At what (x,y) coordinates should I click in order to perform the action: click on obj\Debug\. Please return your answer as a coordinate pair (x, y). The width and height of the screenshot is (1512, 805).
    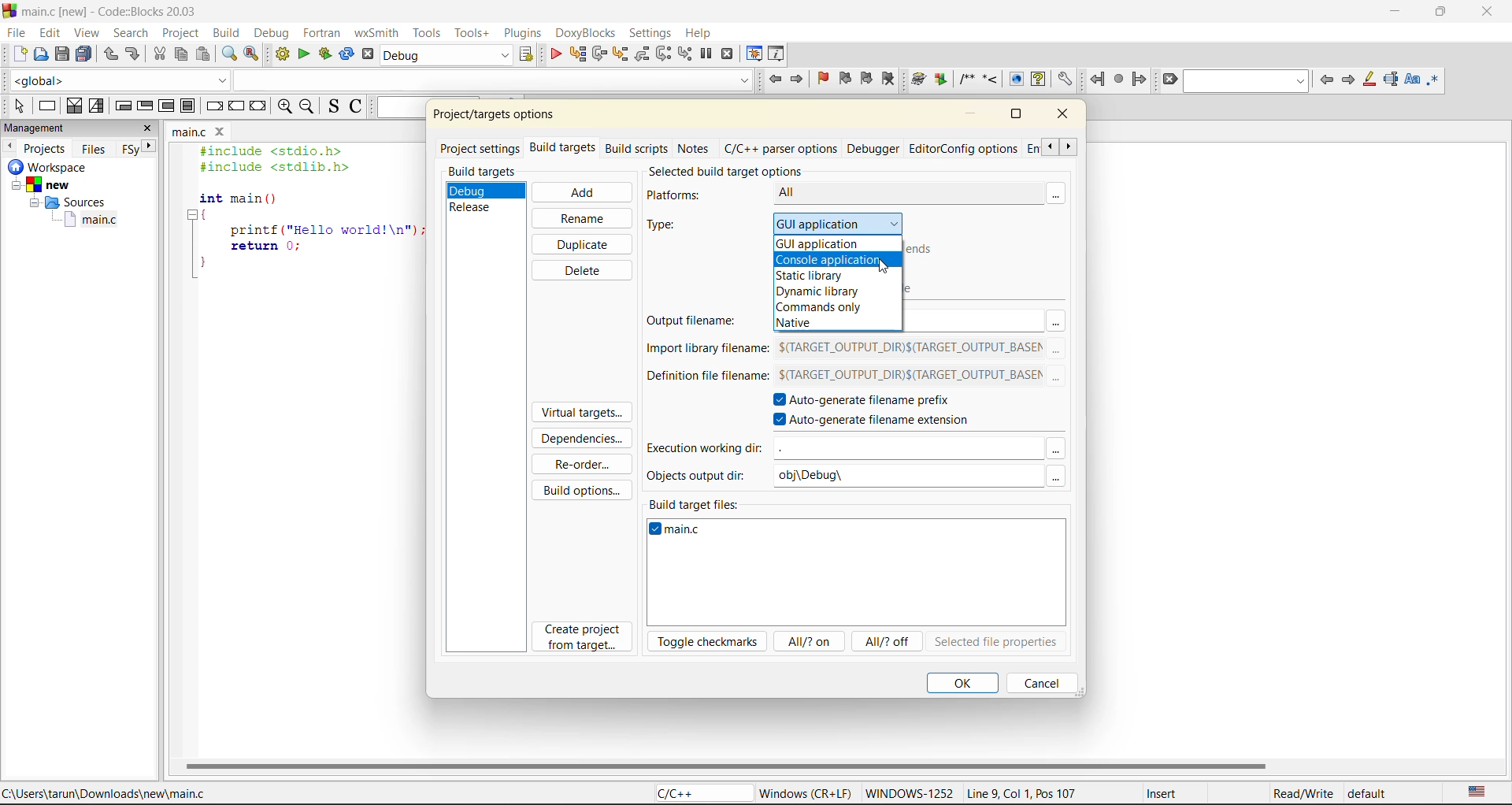
    Looking at the image, I should click on (820, 477).